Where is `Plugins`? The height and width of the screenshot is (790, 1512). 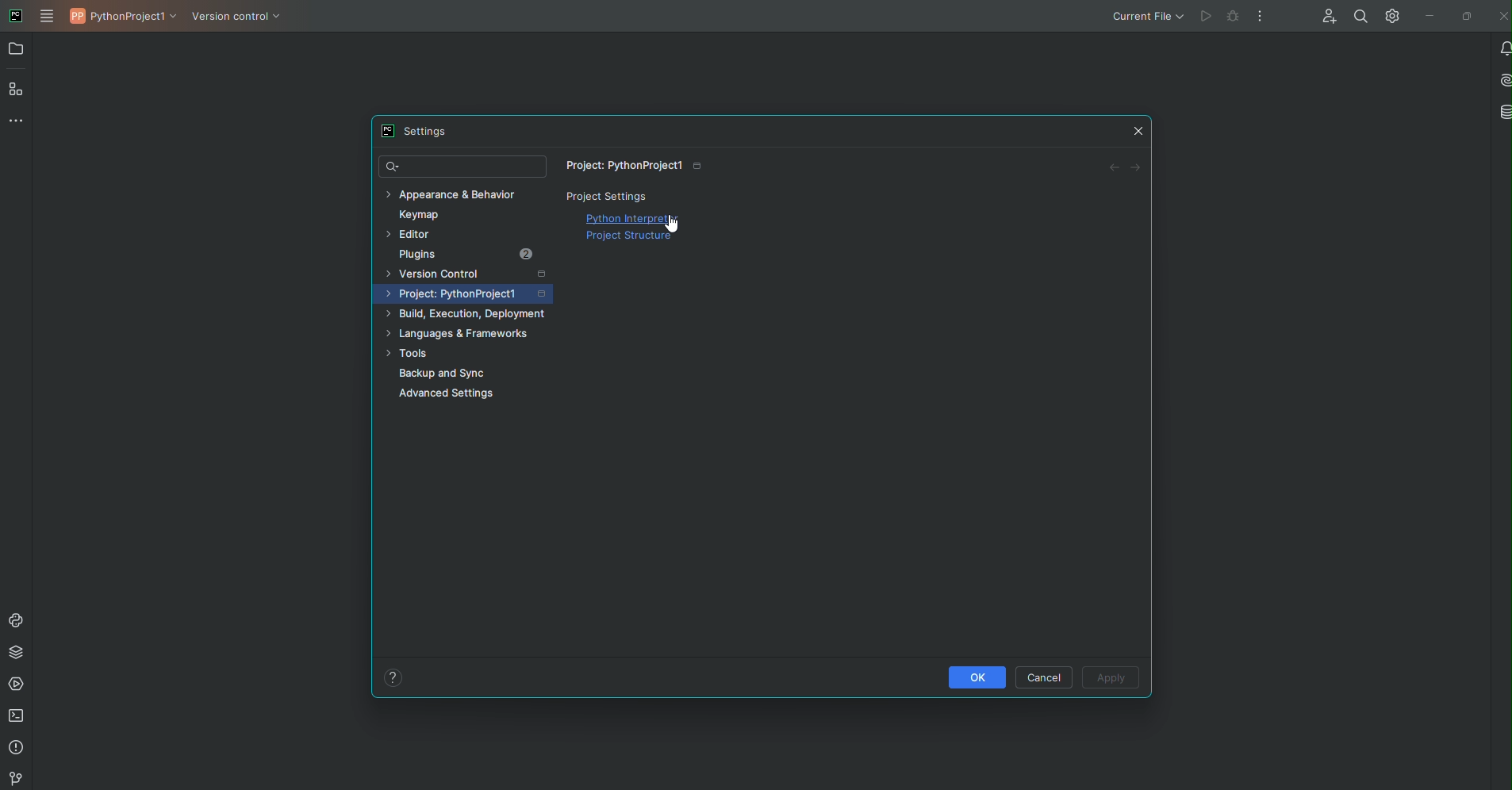
Plugins is located at coordinates (466, 255).